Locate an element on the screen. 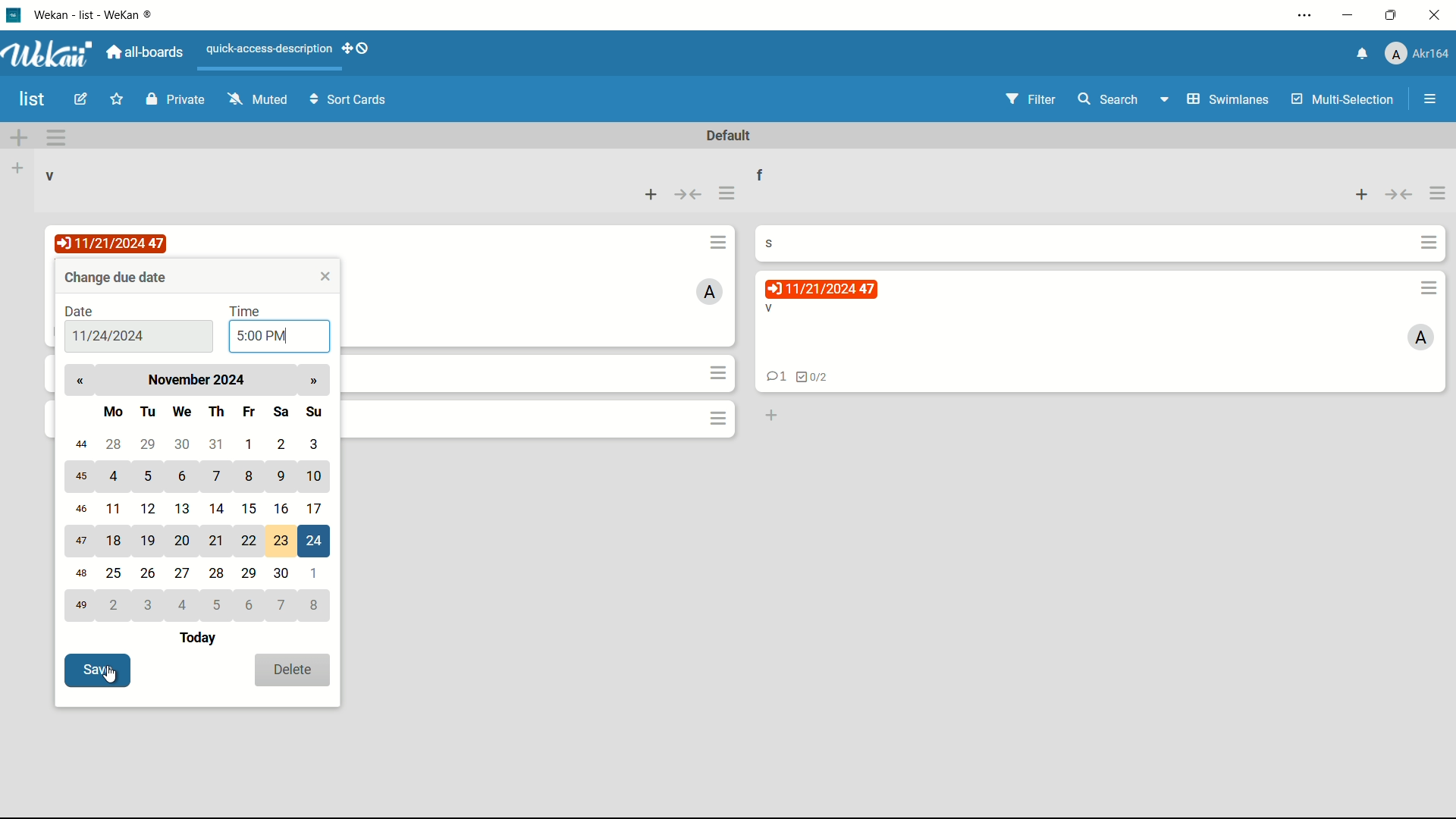  44 is located at coordinates (78, 446).